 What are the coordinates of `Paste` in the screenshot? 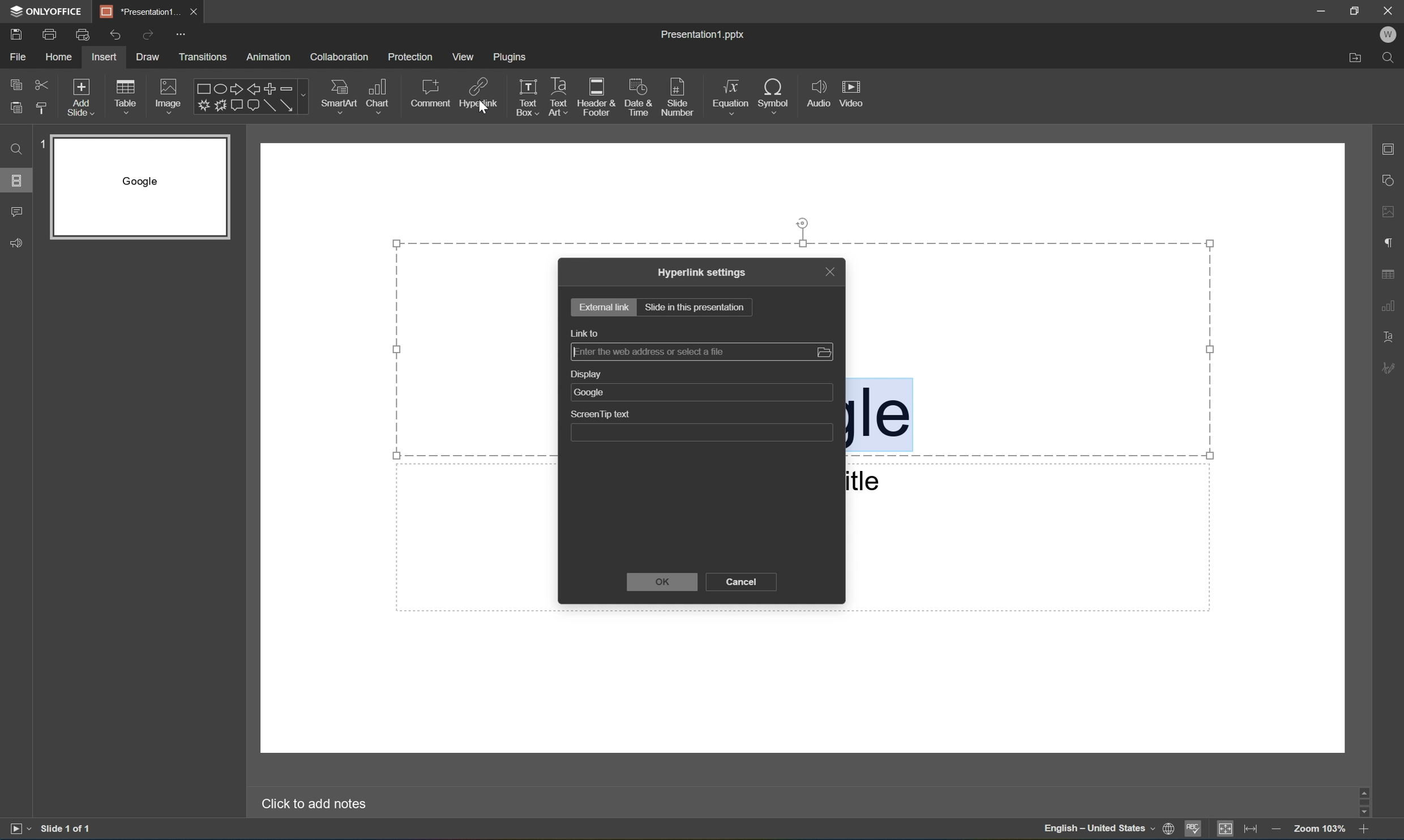 It's located at (16, 108).